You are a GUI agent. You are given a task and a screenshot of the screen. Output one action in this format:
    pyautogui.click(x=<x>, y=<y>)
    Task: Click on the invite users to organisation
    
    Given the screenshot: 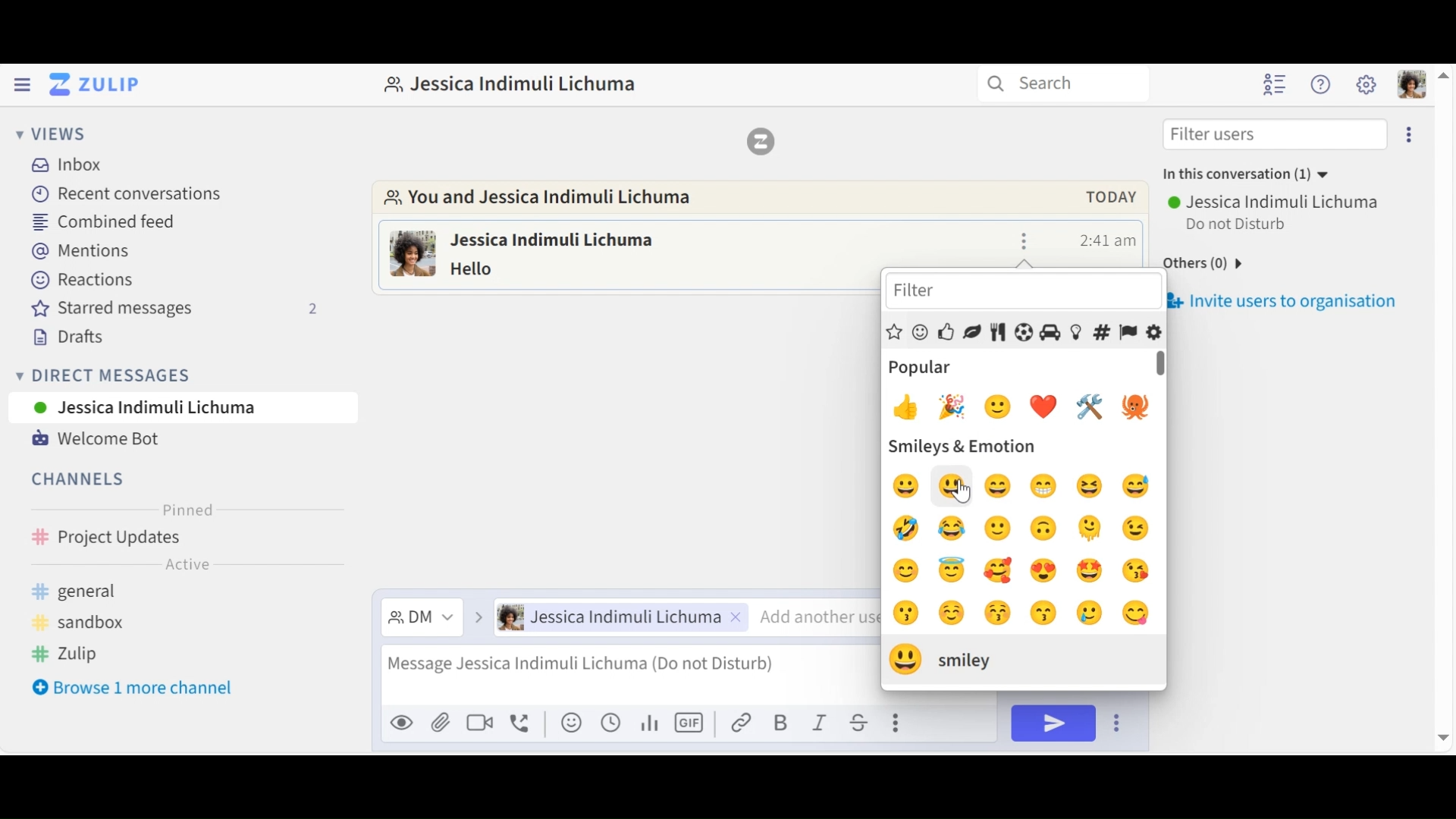 What is the action you would take?
    pyautogui.click(x=1304, y=302)
    